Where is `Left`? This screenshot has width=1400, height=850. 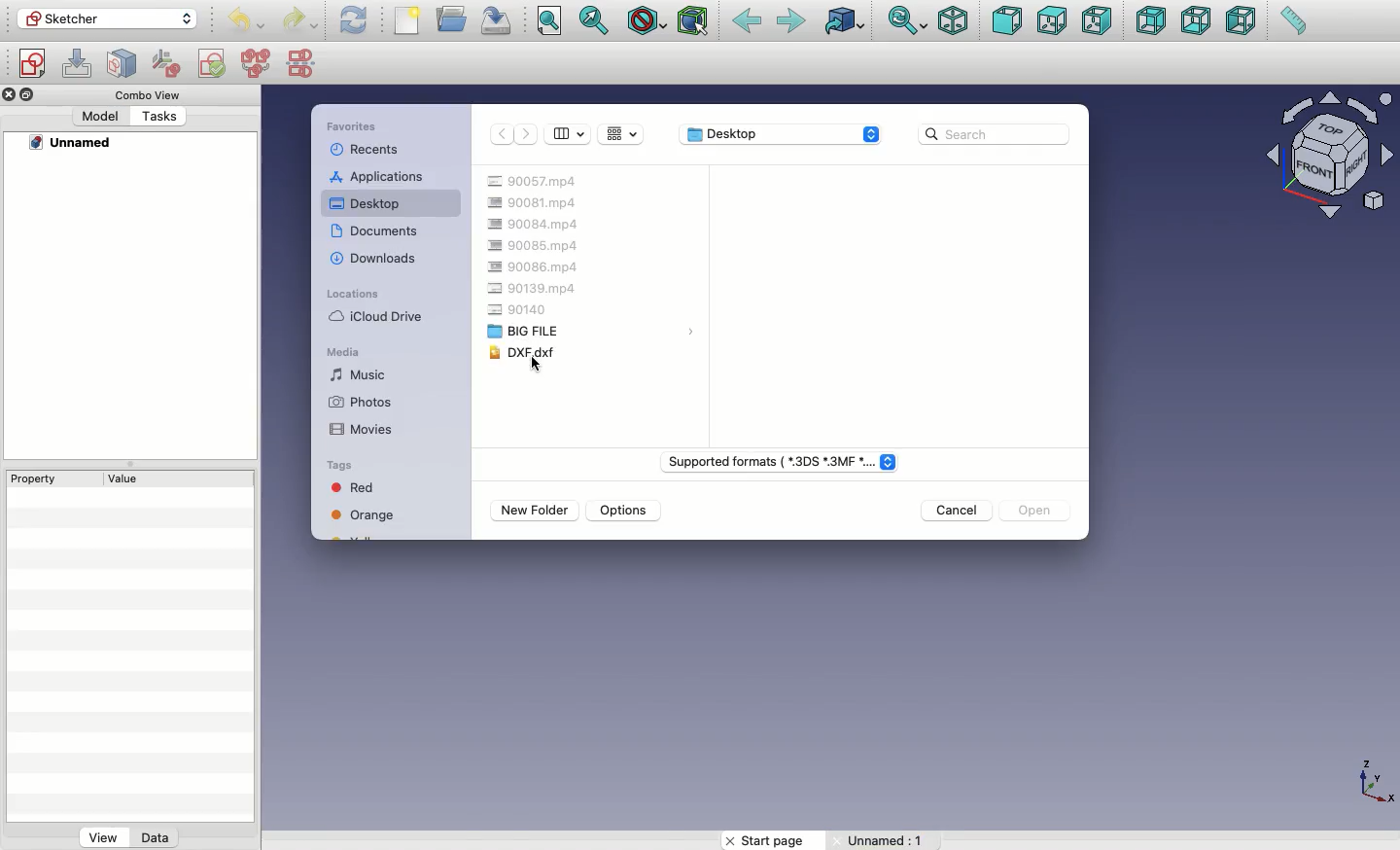
Left is located at coordinates (1241, 20).